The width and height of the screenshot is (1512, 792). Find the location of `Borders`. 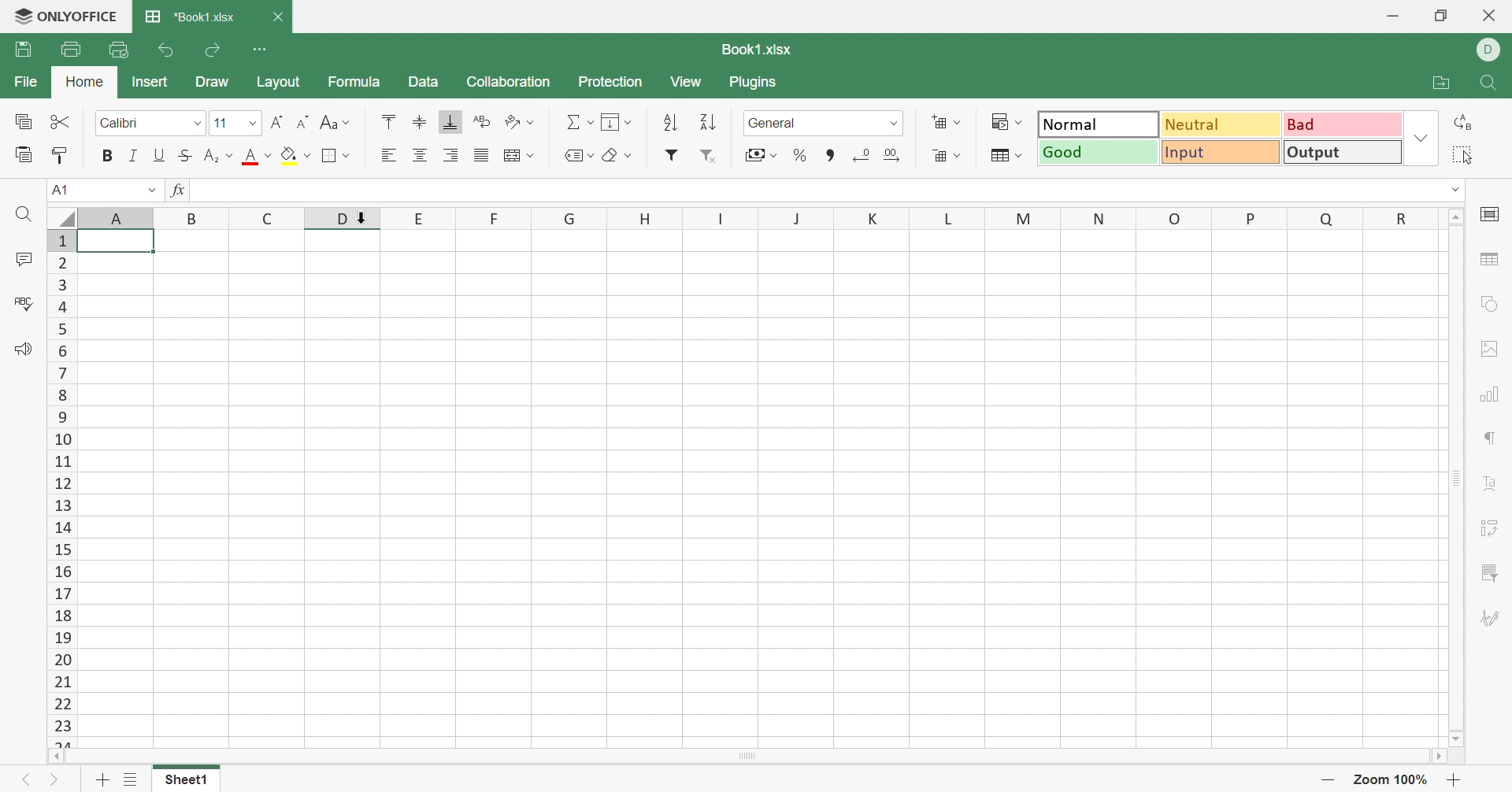

Borders is located at coordinates (330, 157).